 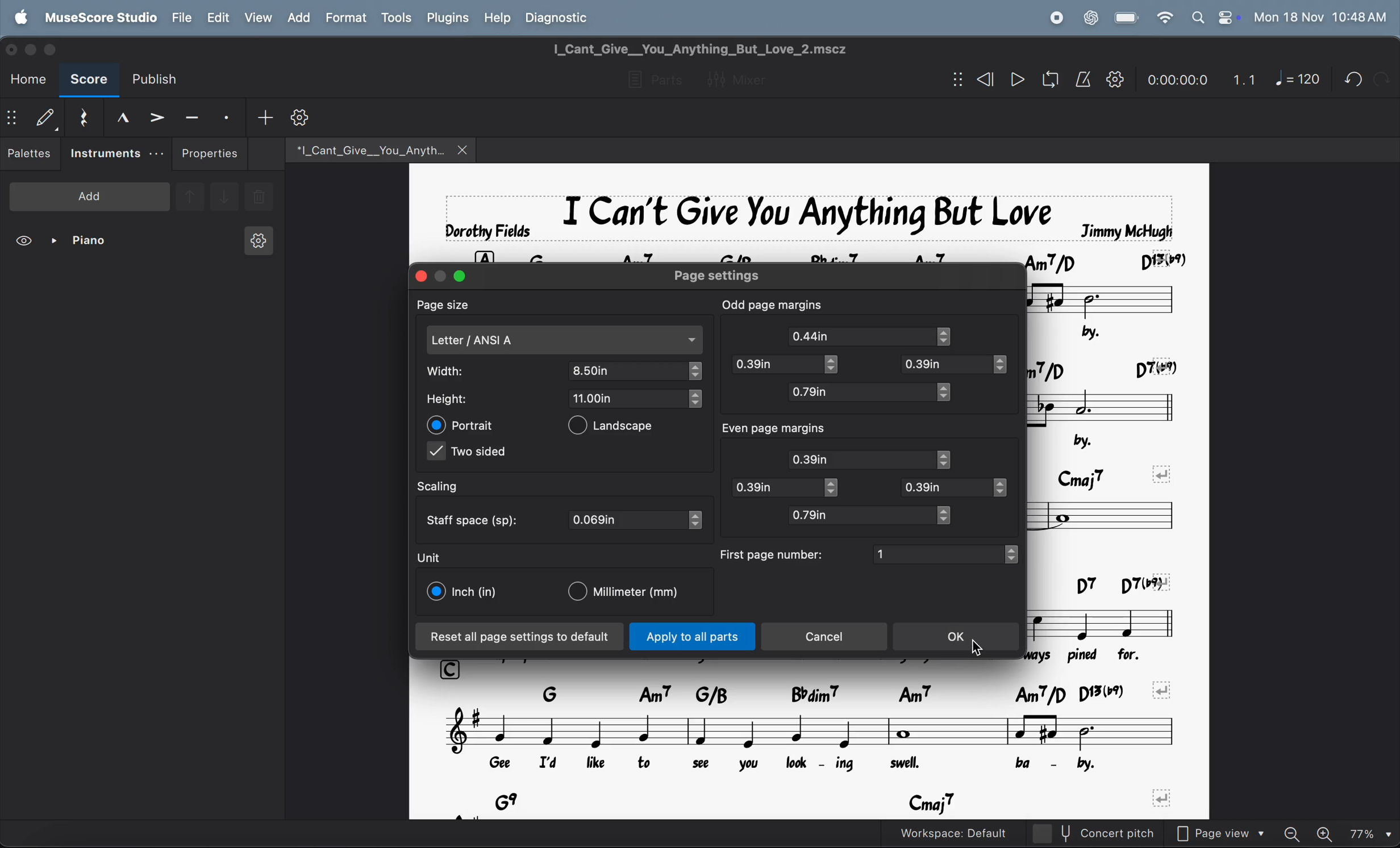 What do you see at coordinates (100, 16) in the screenshot?
I see `muse score studio` at bounding box center [100, 16].